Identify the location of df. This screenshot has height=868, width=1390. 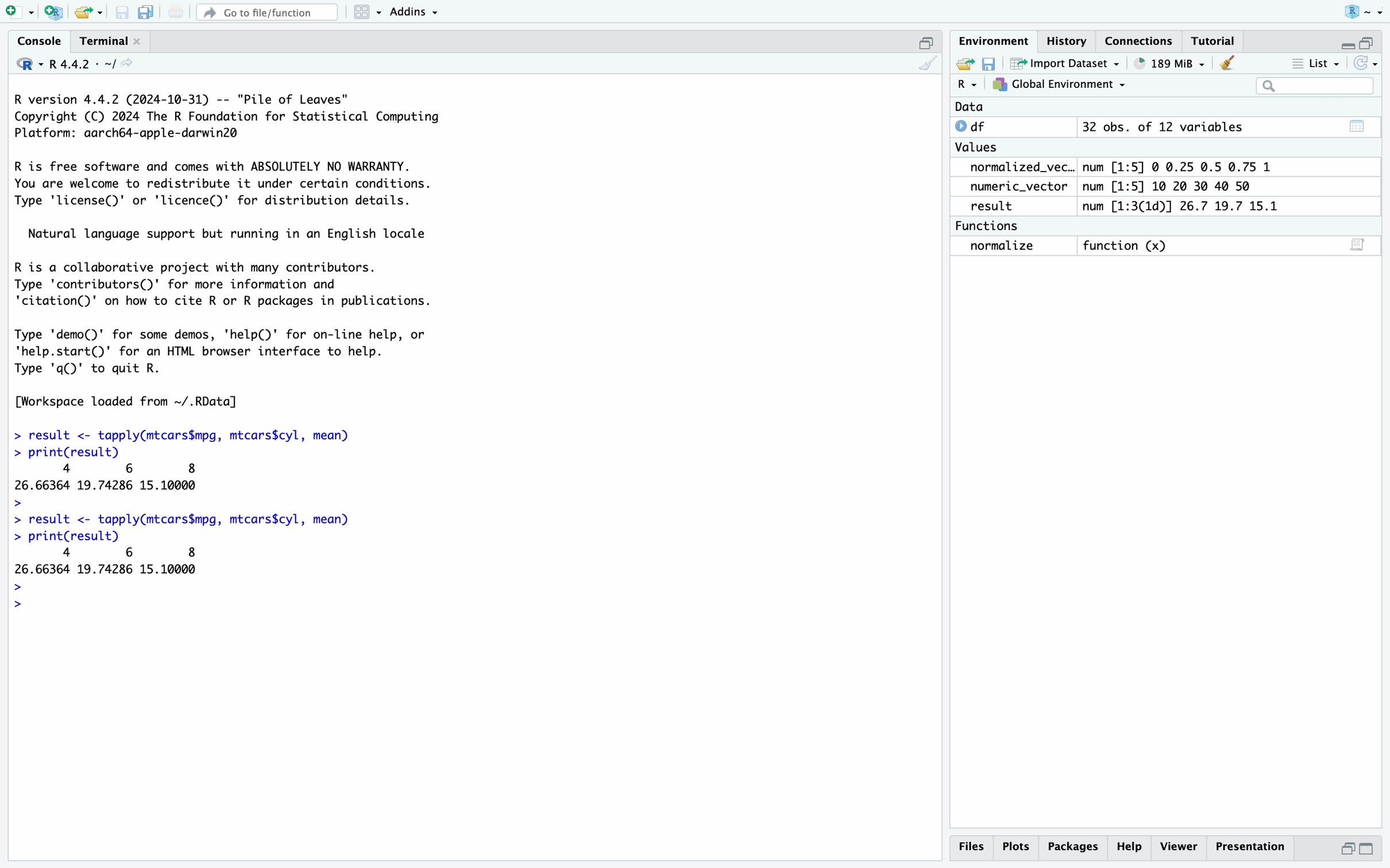
(979, 127).